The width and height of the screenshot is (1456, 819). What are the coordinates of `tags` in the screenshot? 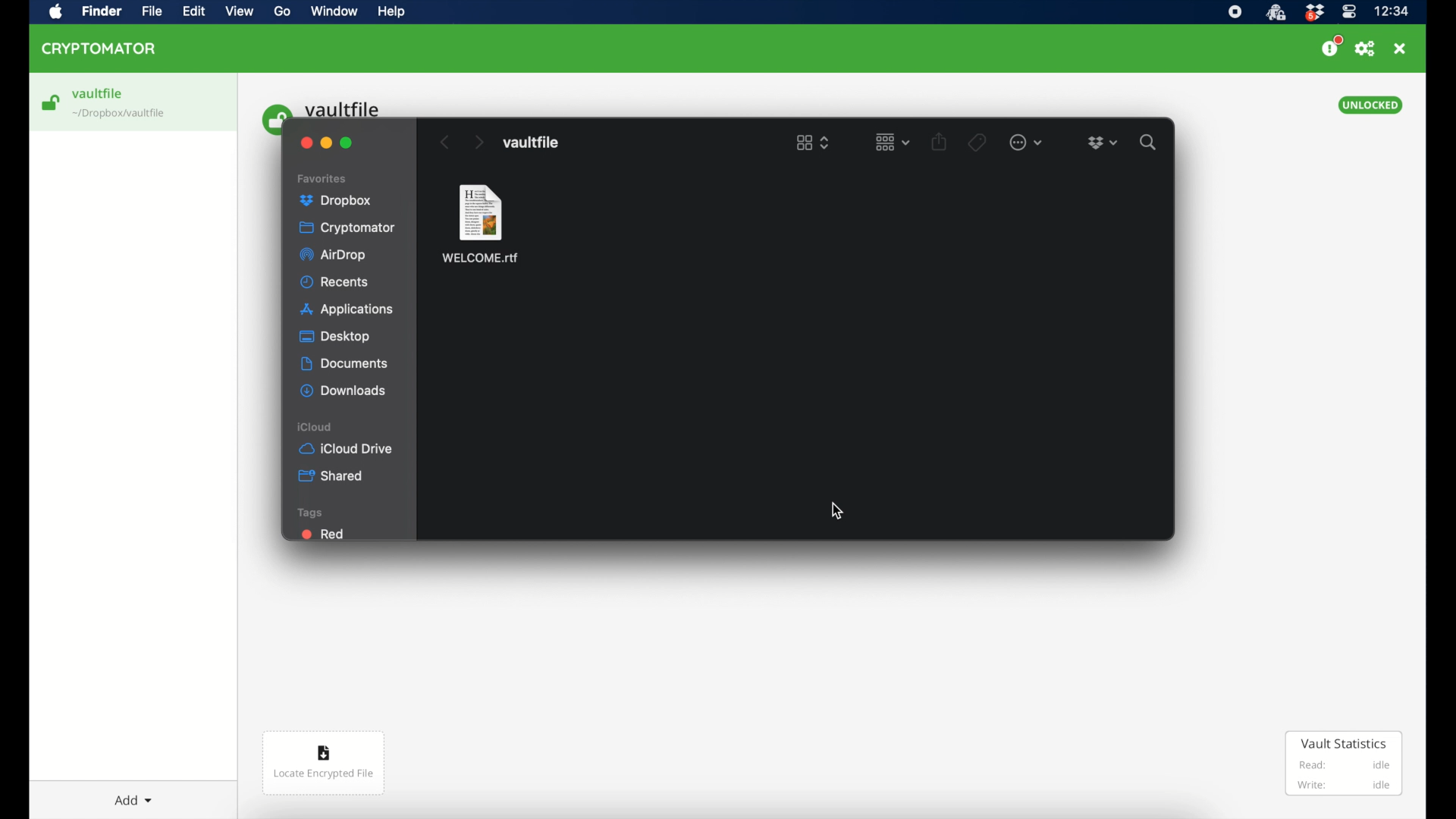 It's located at (309, 513).